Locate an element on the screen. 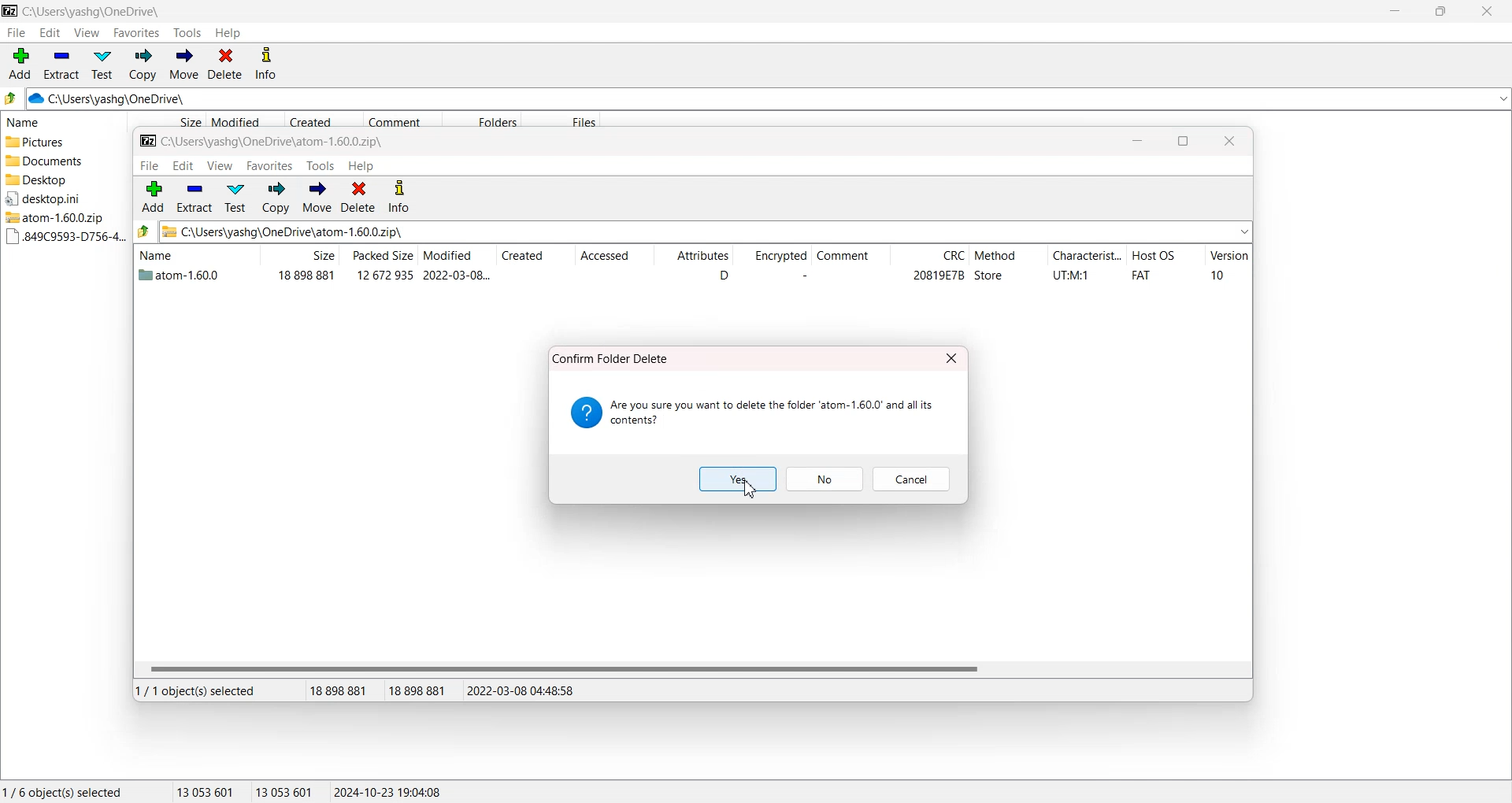  18 898 881 is located at coordinates (423, 691).